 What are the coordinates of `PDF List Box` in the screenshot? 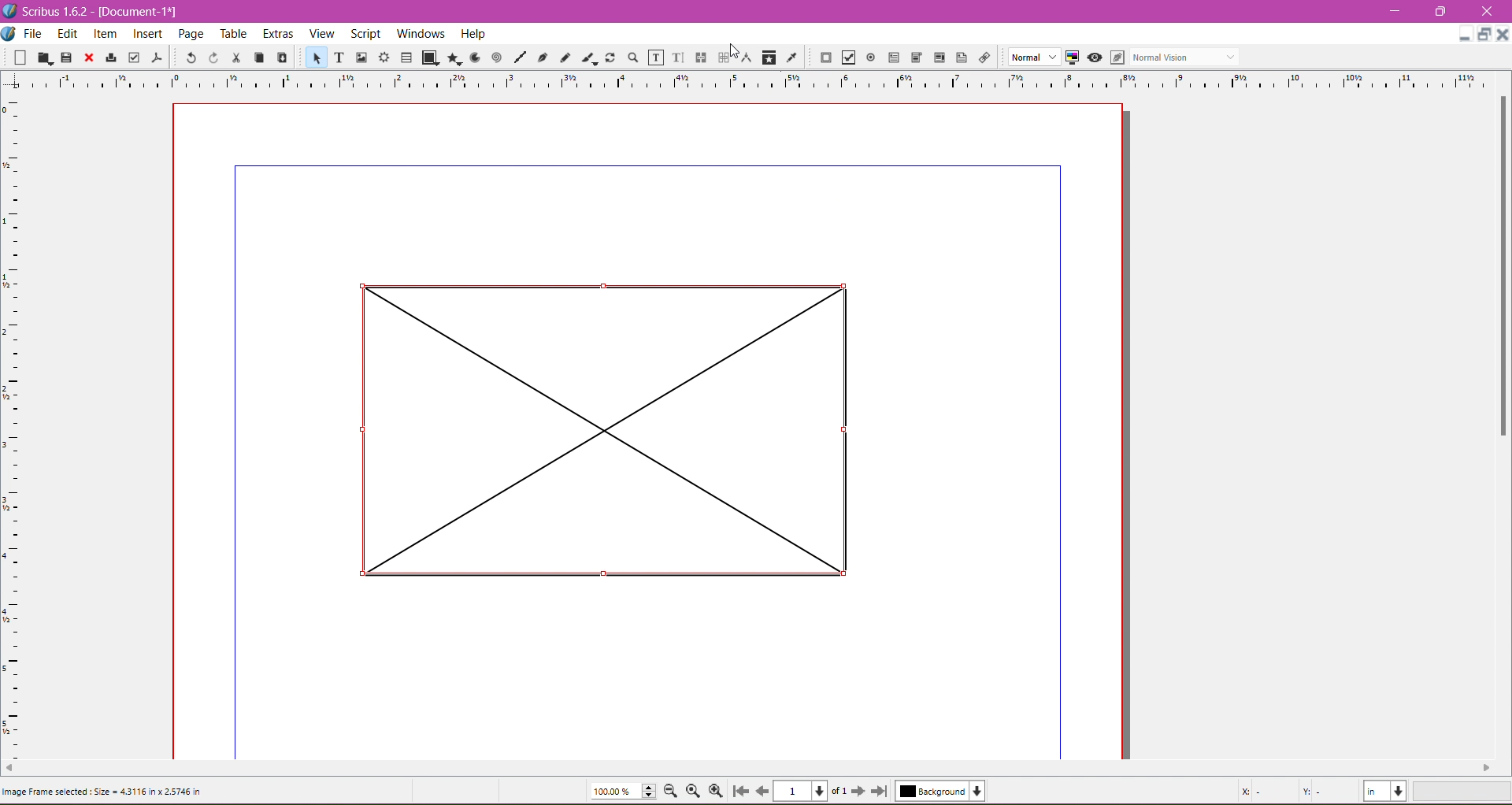 It's located at (939, 57).